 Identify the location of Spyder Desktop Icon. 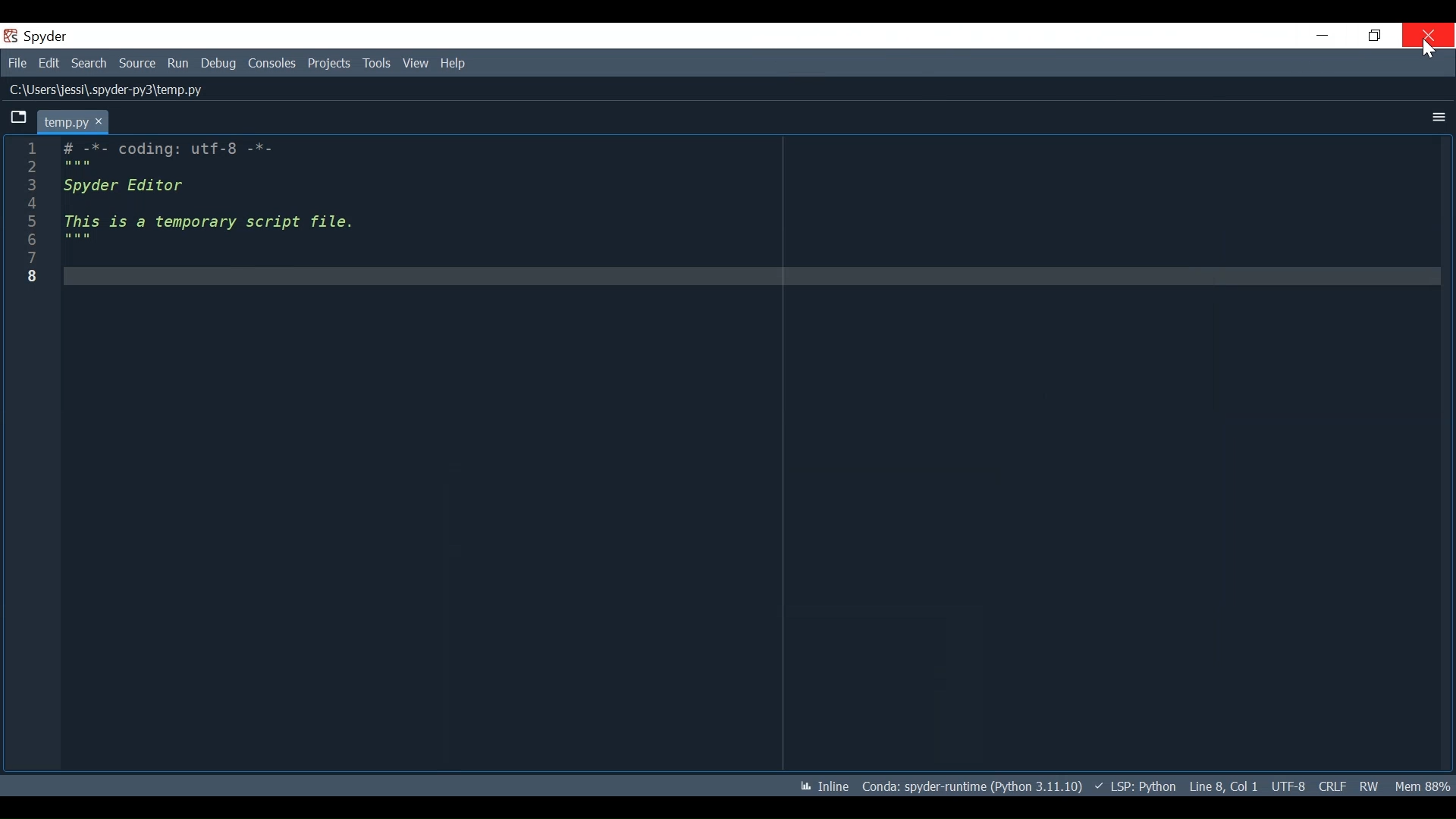
(33, 36).